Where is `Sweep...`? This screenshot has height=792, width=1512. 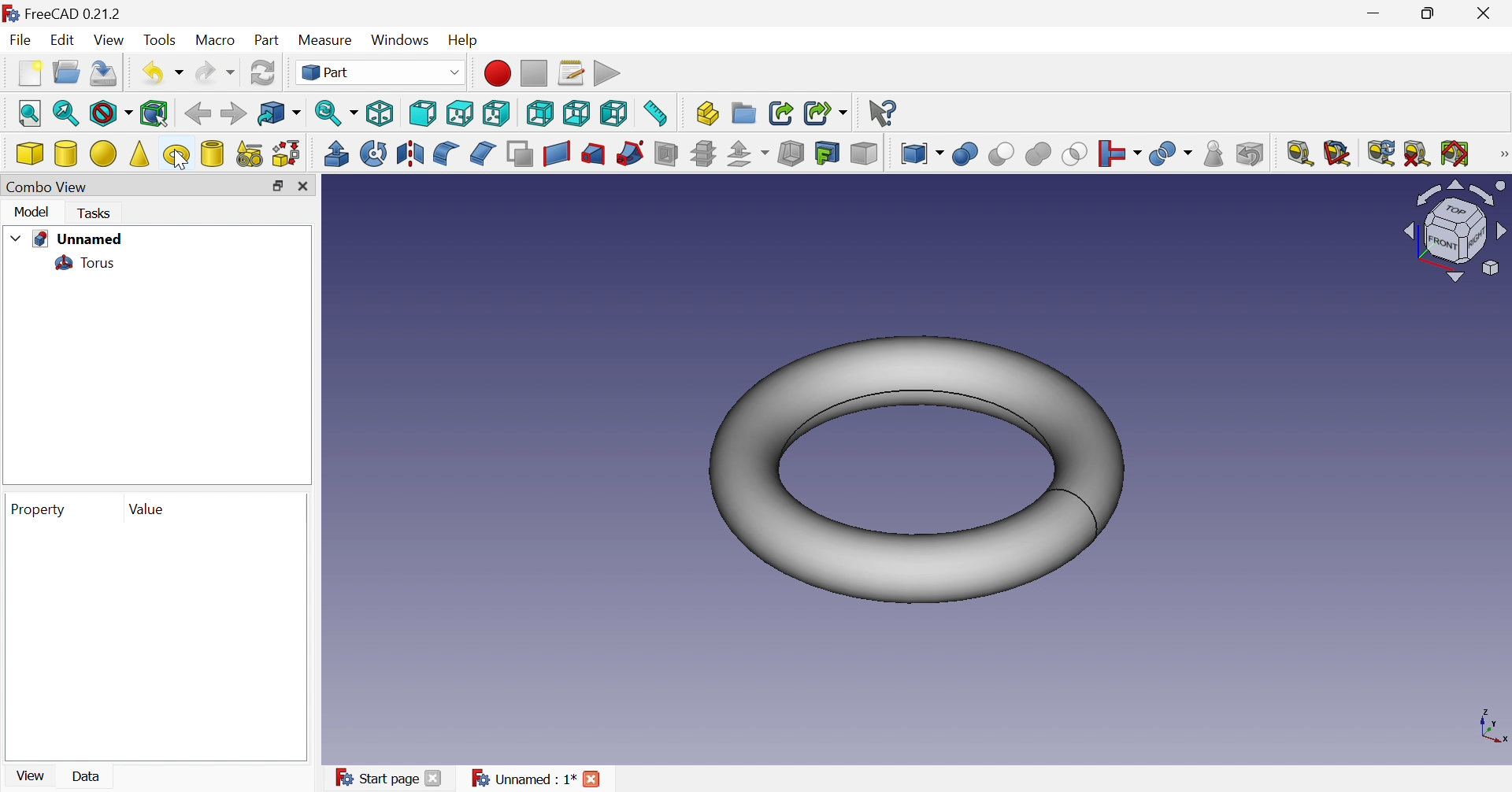
Sweep... is located at coordinates (630, 153).